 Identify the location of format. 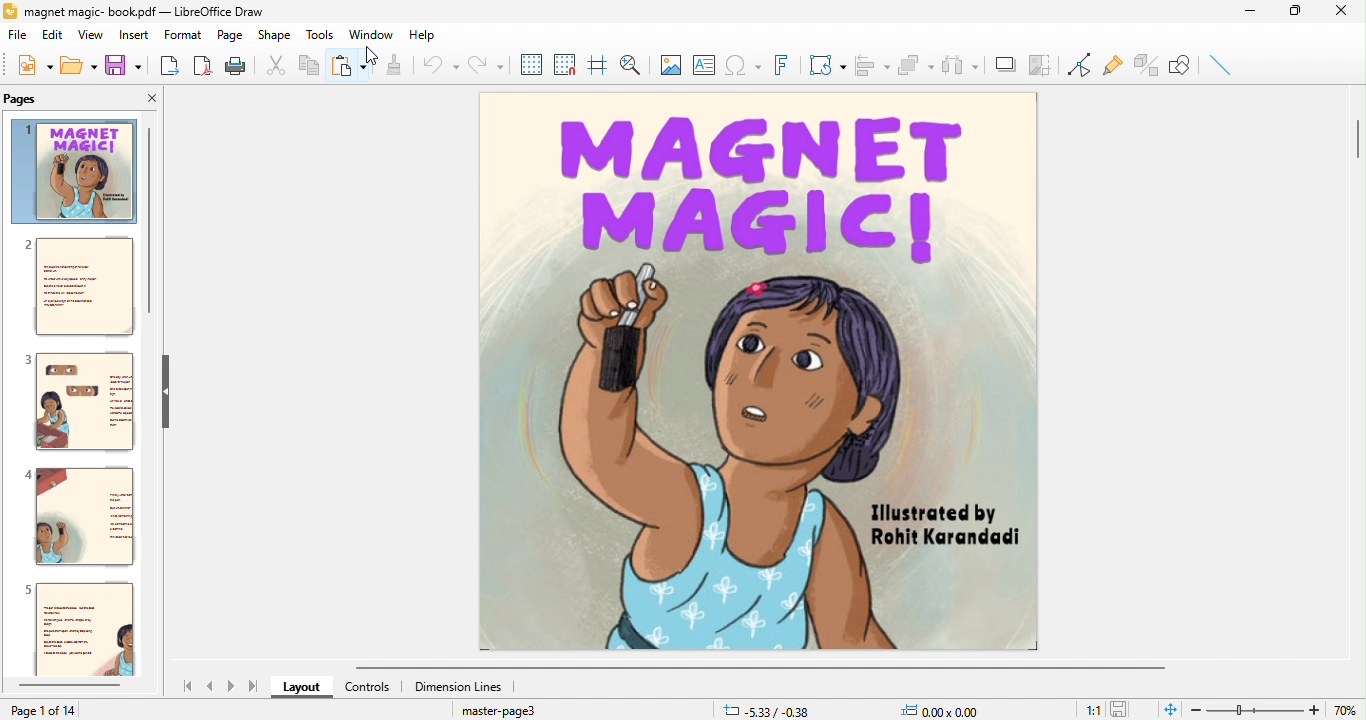
(185, 37).